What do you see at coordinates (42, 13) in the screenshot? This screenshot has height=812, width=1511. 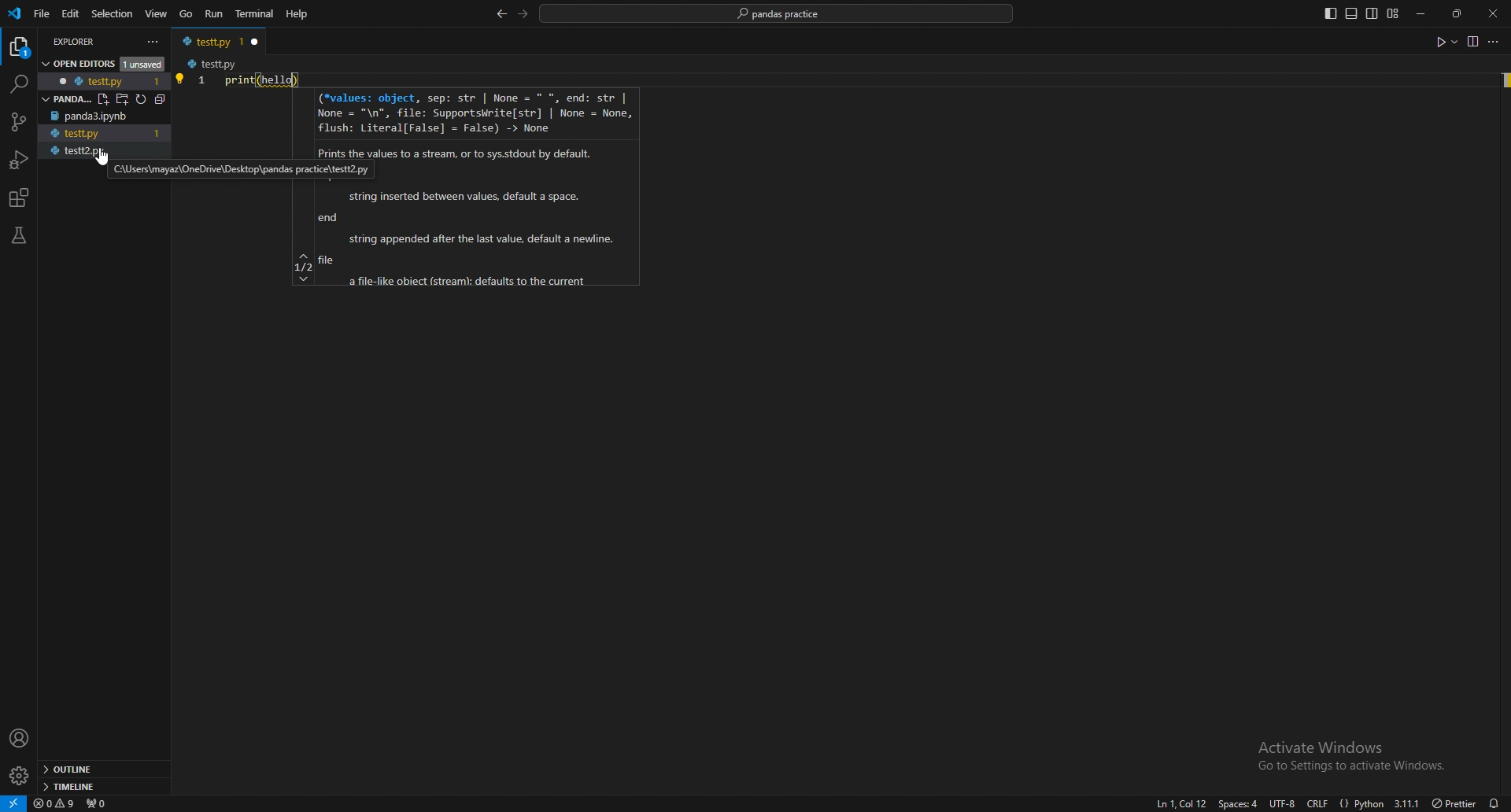 I see `file` at bounding box center [42, 13].